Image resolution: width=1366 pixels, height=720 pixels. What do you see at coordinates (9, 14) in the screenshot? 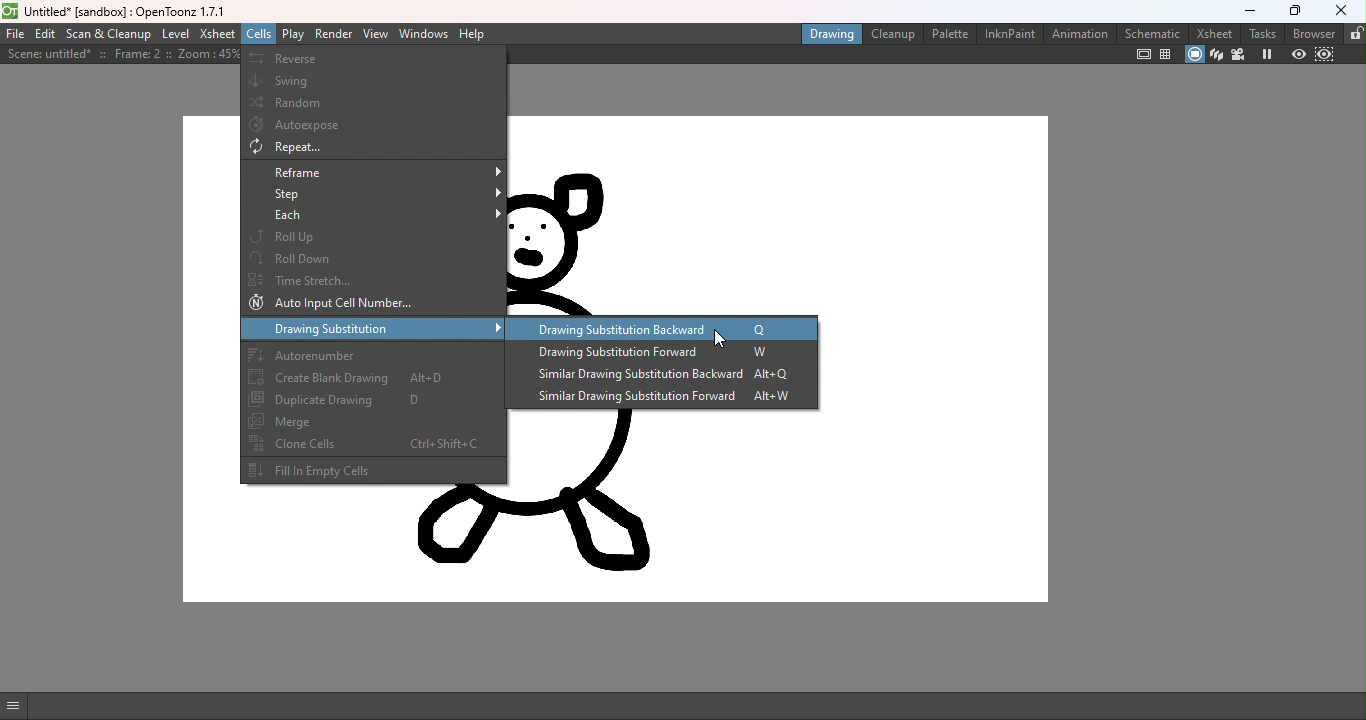
I see `open toonz logo` at bounding box center [9, 14].